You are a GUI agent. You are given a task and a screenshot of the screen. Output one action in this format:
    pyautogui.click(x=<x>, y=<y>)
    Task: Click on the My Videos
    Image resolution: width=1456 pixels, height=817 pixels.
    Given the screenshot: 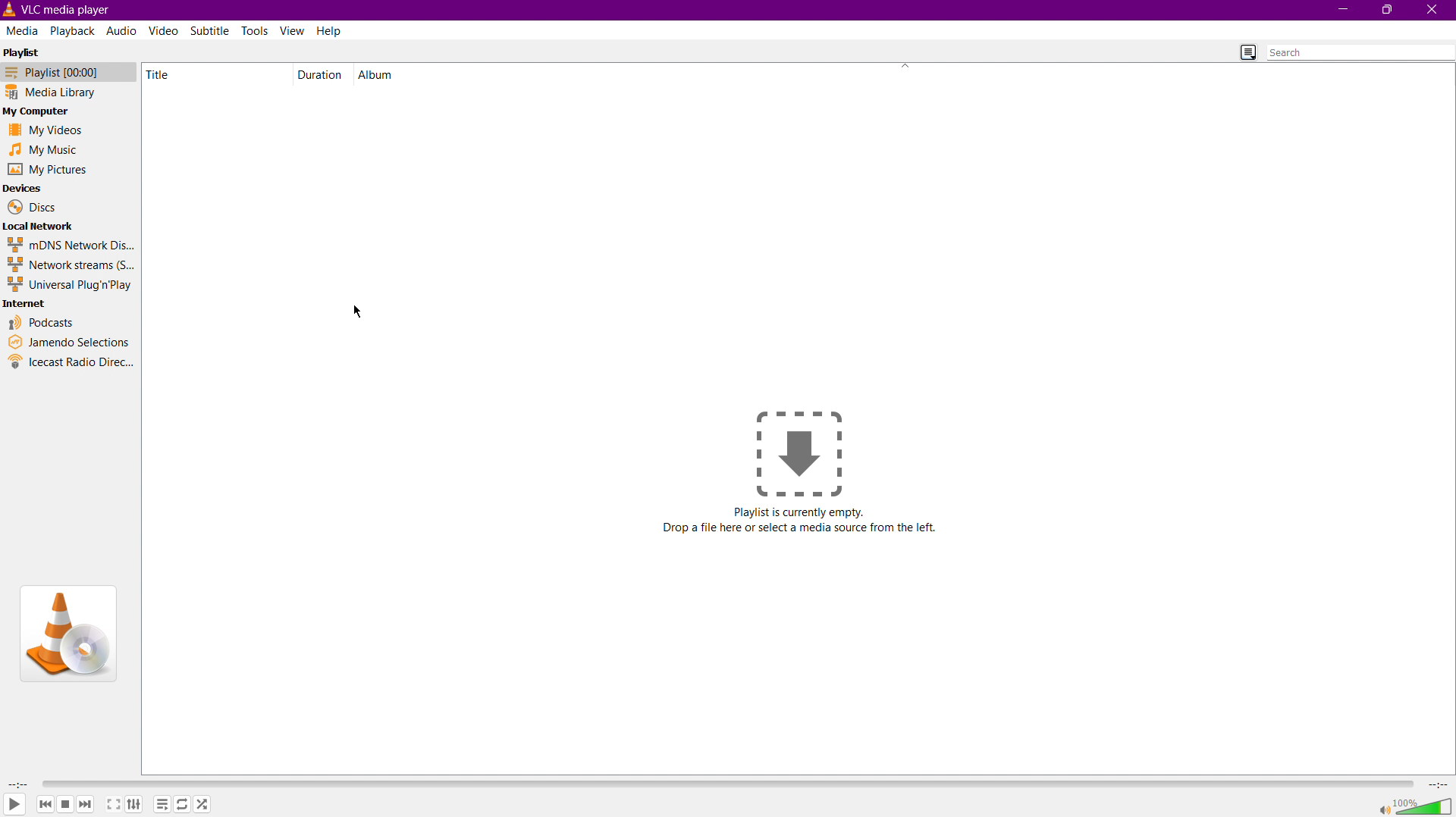 What is the action you would take?
    pyautogui.click(x=45, y=130)
    